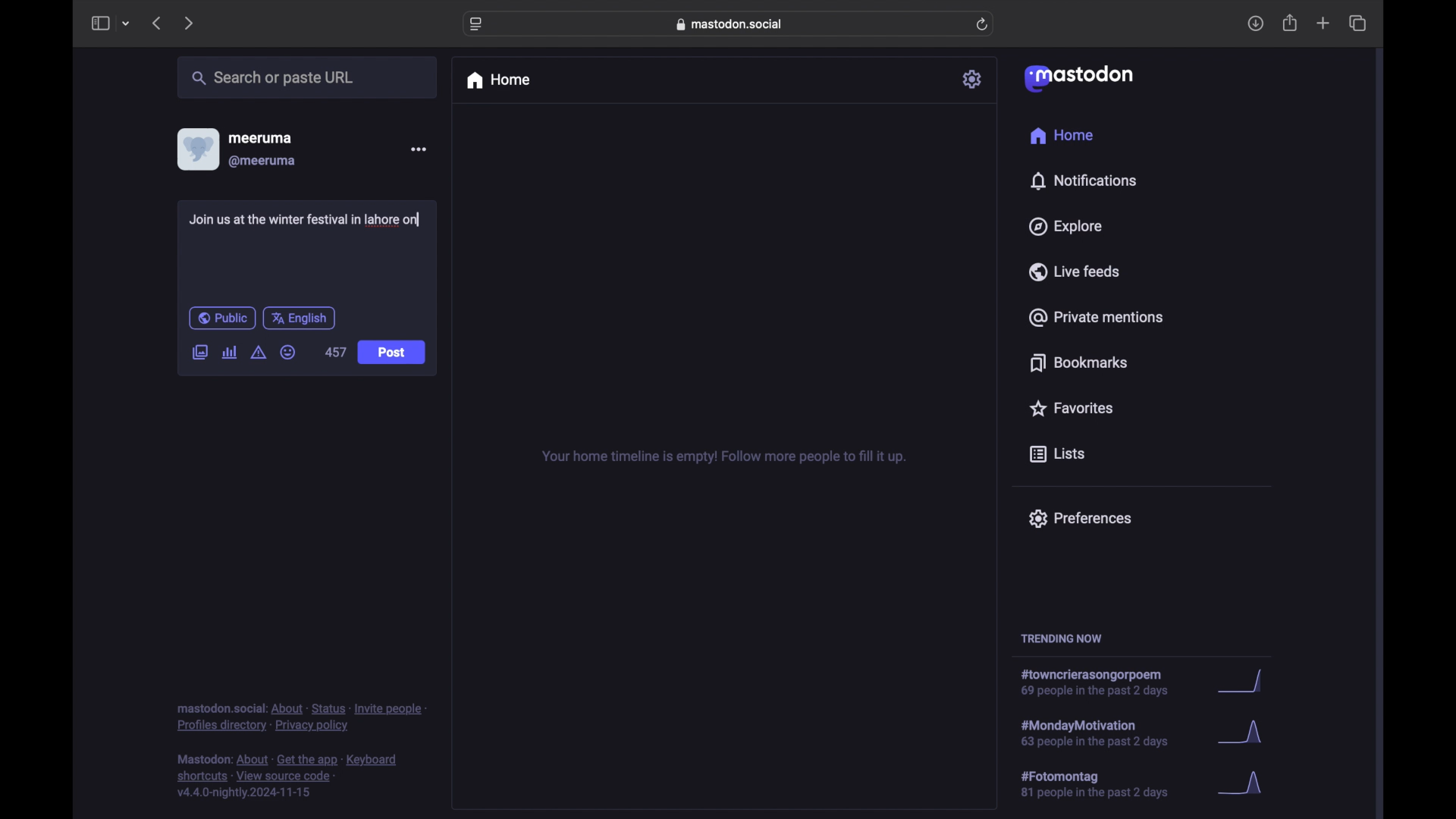  What do you see at coordinates (1064, 227) in the screenshot?
I see `explore` at bounding box center [1064, 227].